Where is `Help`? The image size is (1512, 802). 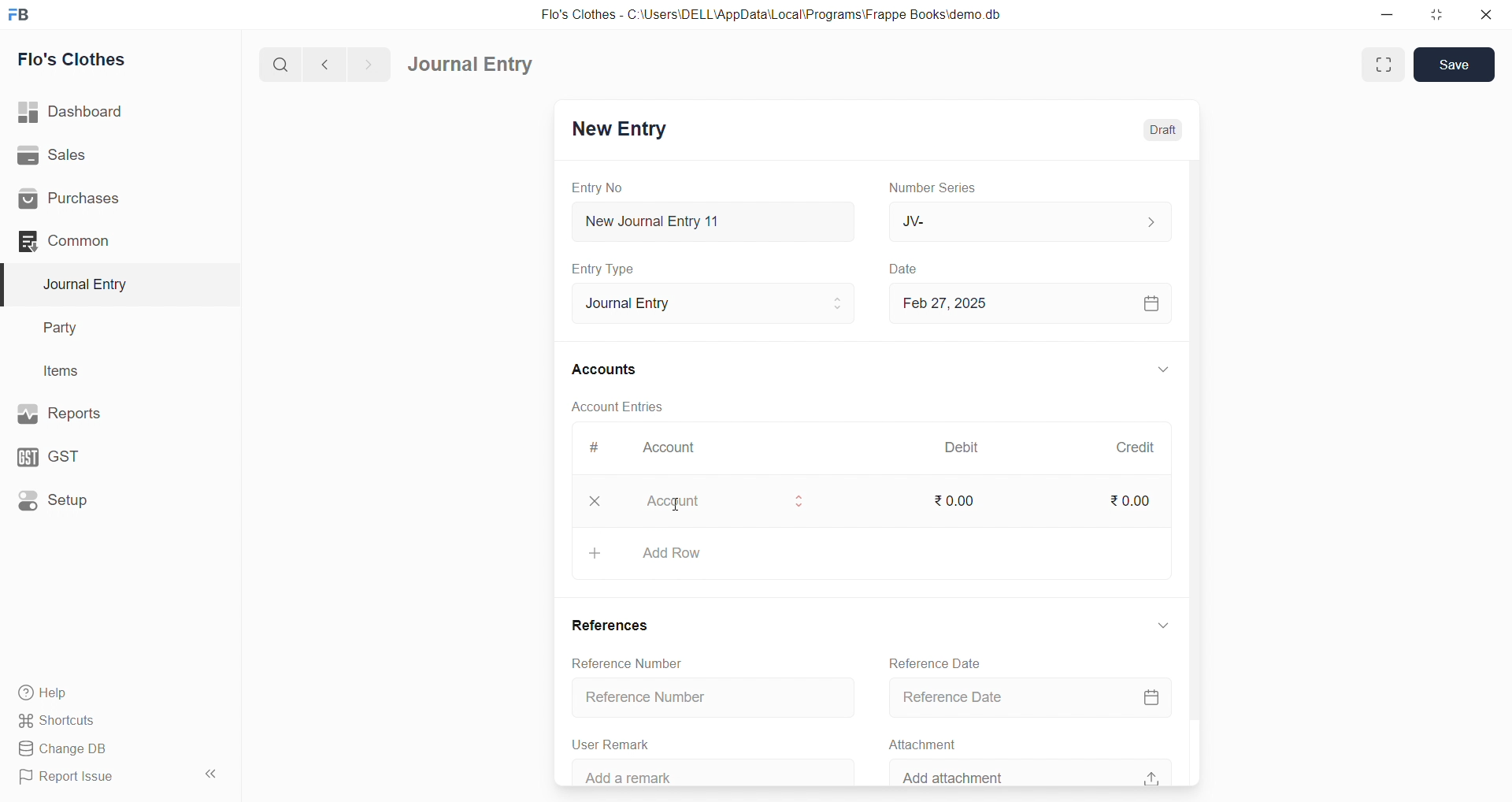
Help is located at coordinates (98, 694).